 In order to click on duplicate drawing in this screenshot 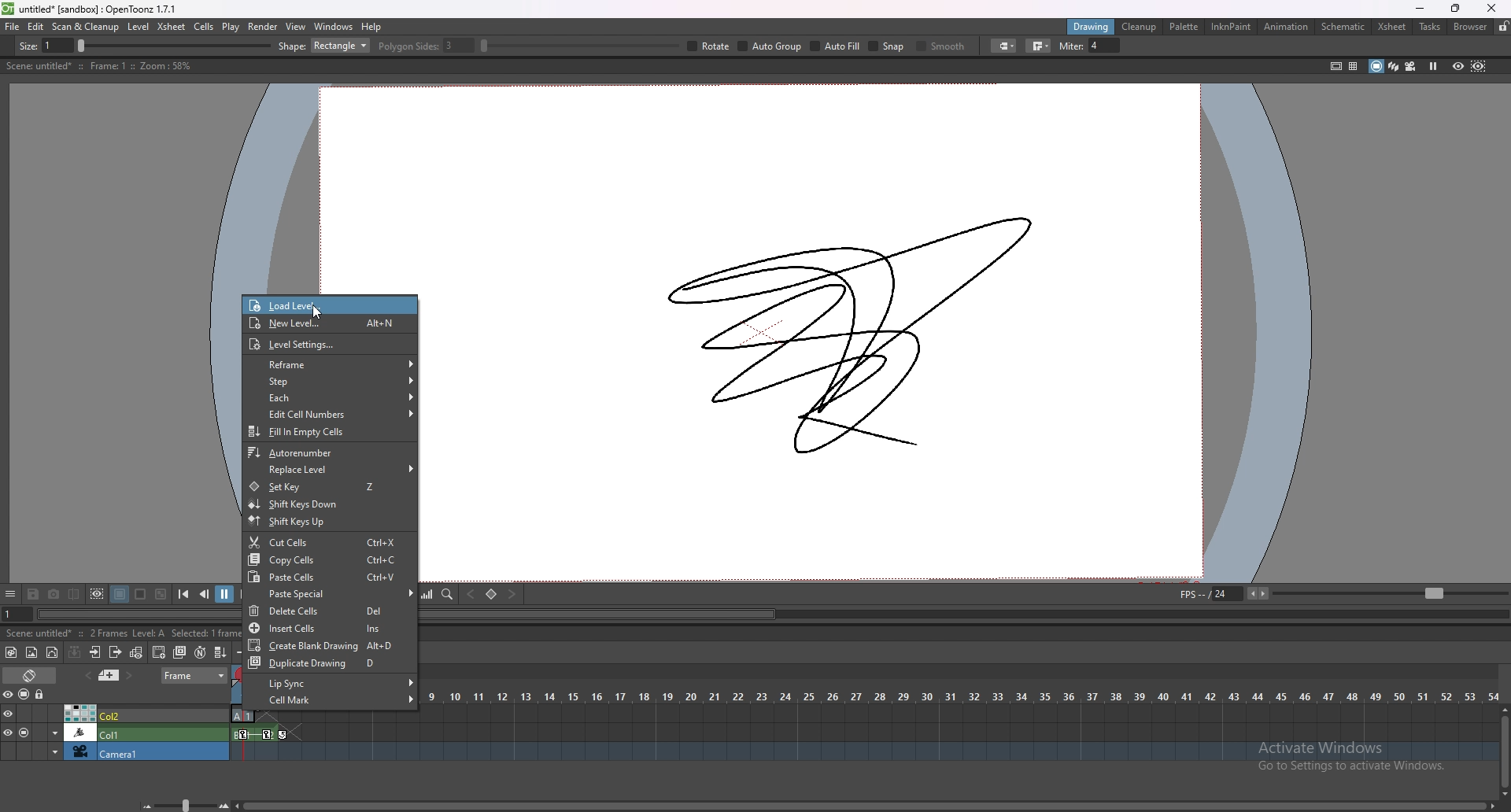, I will do `click(332, 663)`.